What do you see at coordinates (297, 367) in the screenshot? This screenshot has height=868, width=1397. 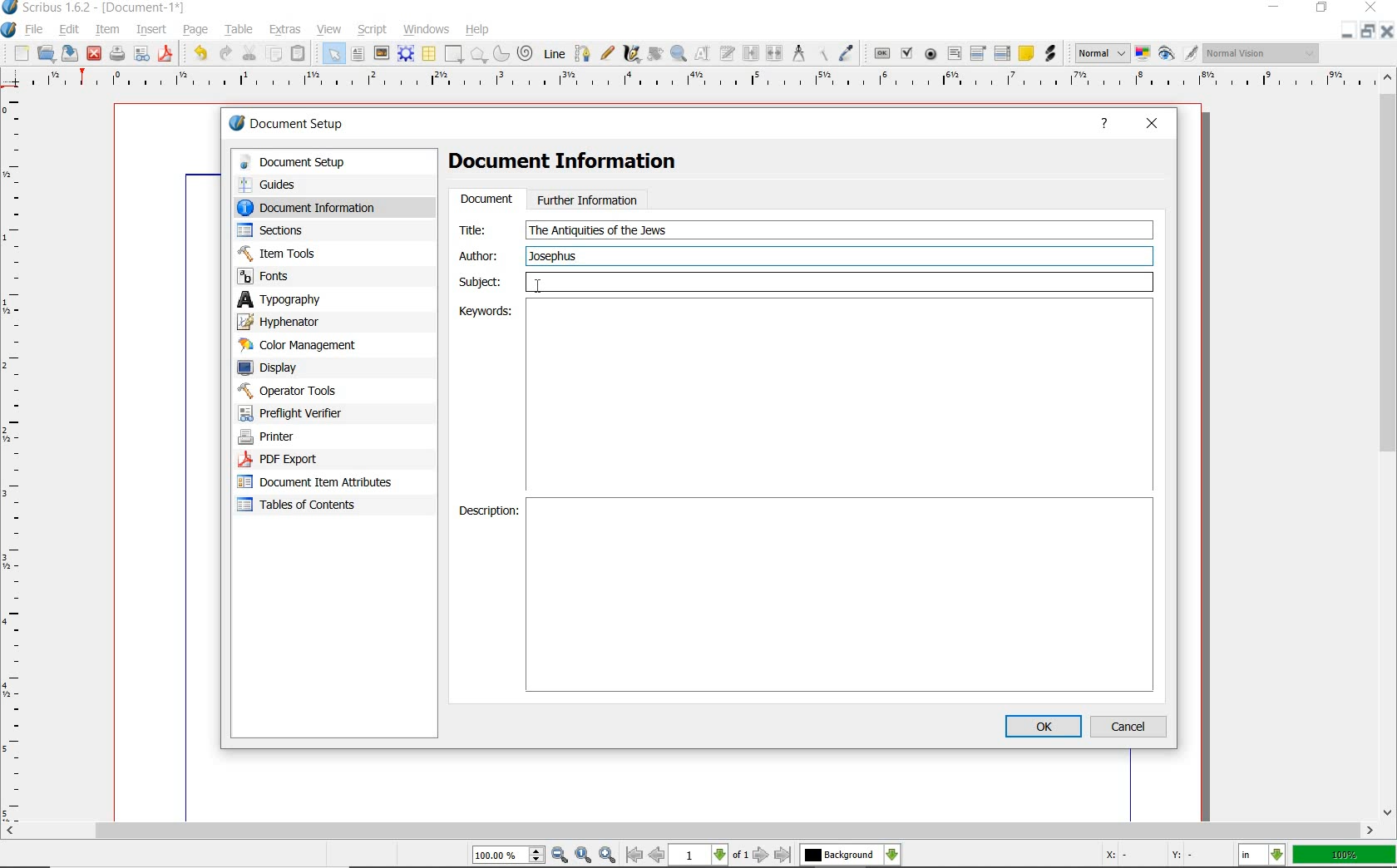 I see `display` at bounding box center [297, 367].